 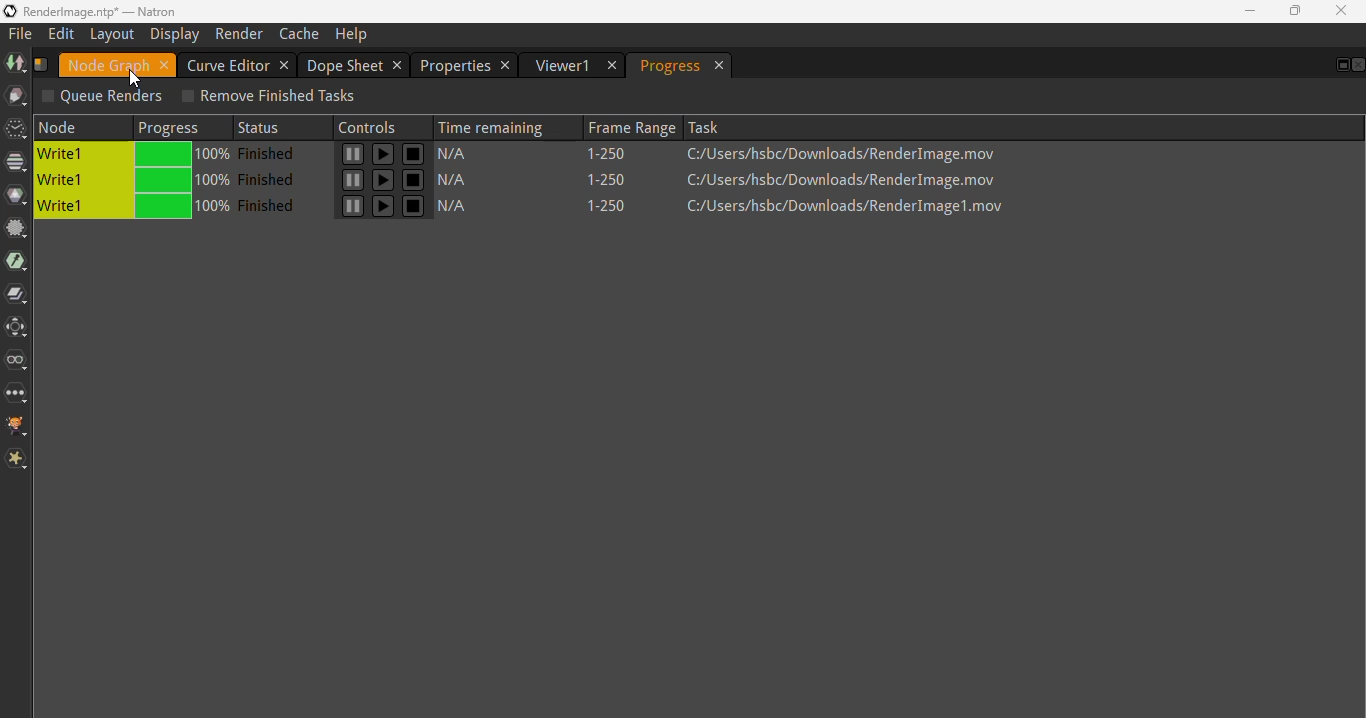 What do you see at coordinates (16, 96) in the screenshot?
I see `draw` at bounding box center [16, 96].